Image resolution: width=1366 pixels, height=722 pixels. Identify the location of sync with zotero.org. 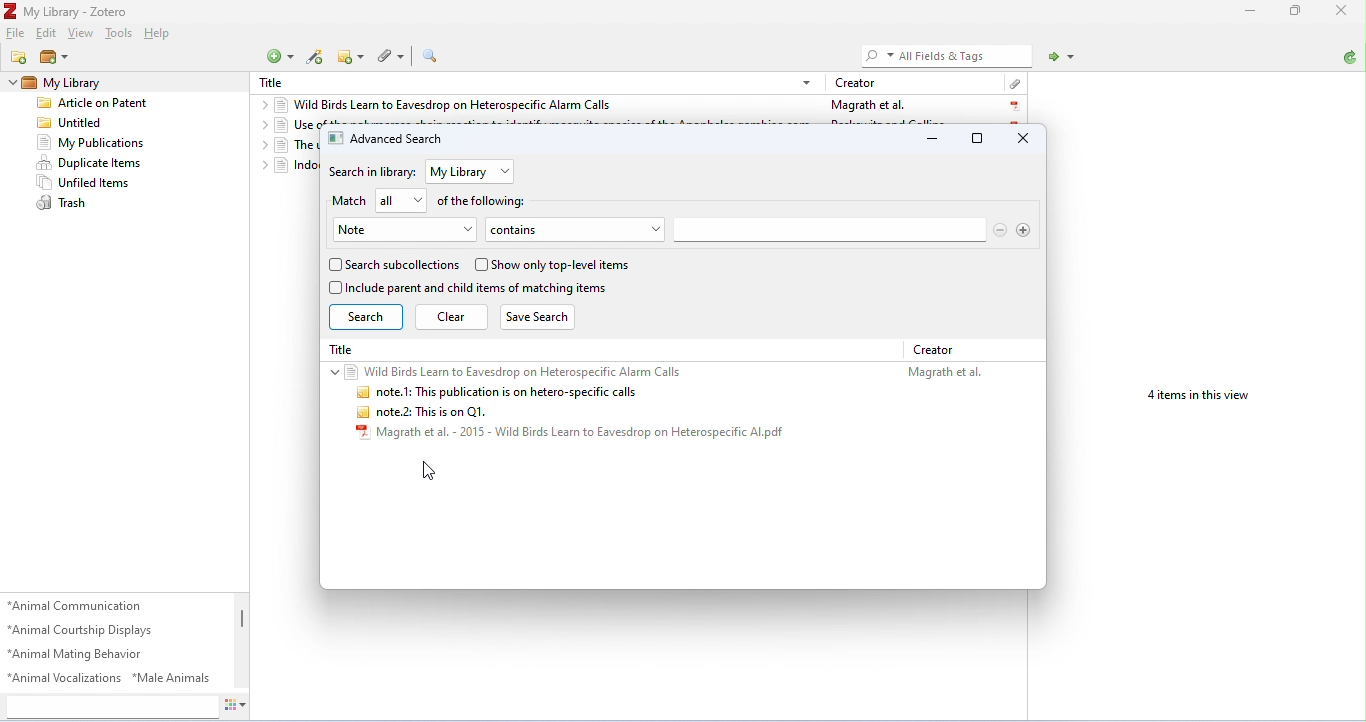
(1351, 58).